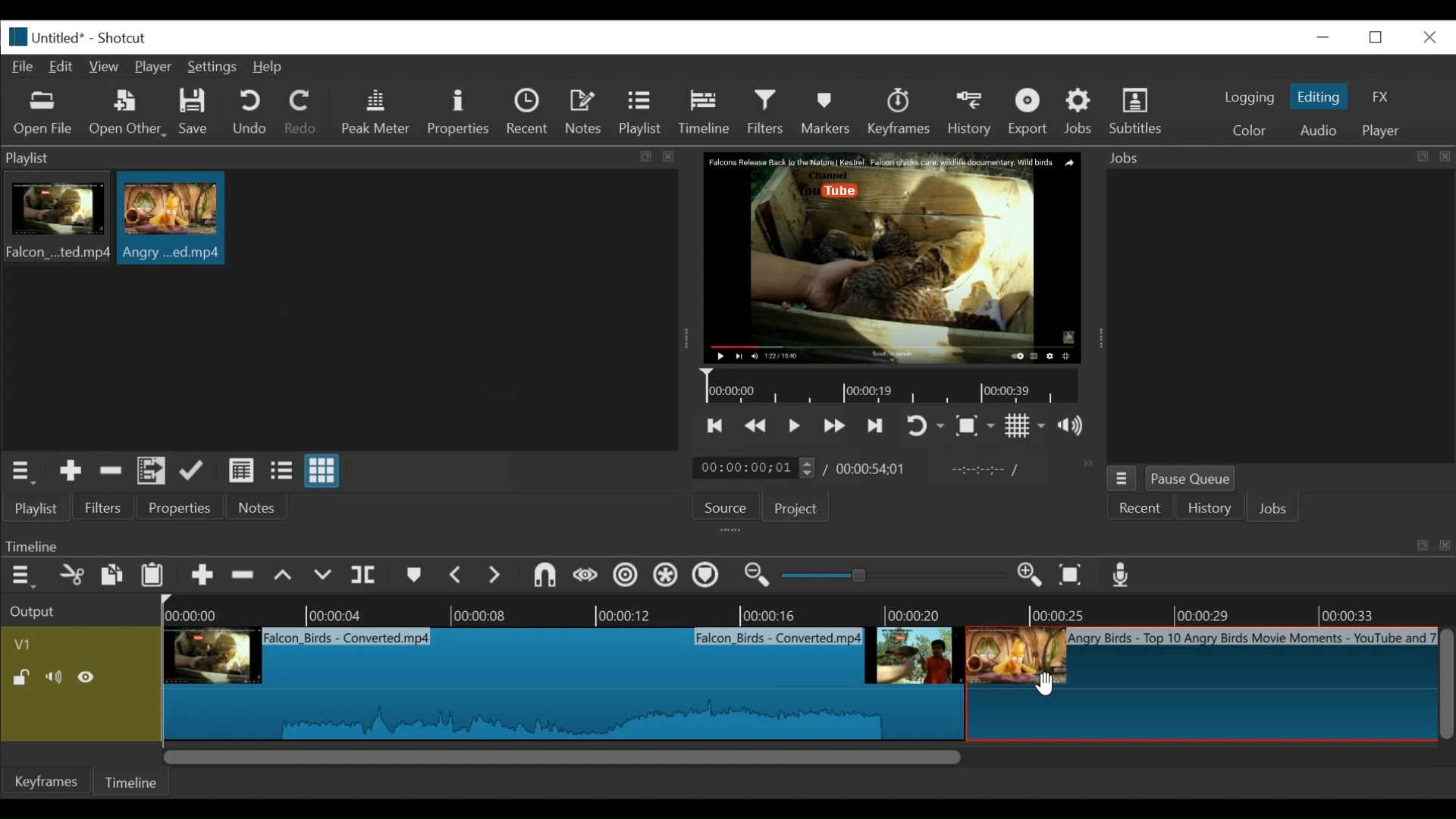 The width and height of the screenshot is (1456, 819). Describe the element at coordinates (1380, 36) in the screenshot. I see `restore` at that location.